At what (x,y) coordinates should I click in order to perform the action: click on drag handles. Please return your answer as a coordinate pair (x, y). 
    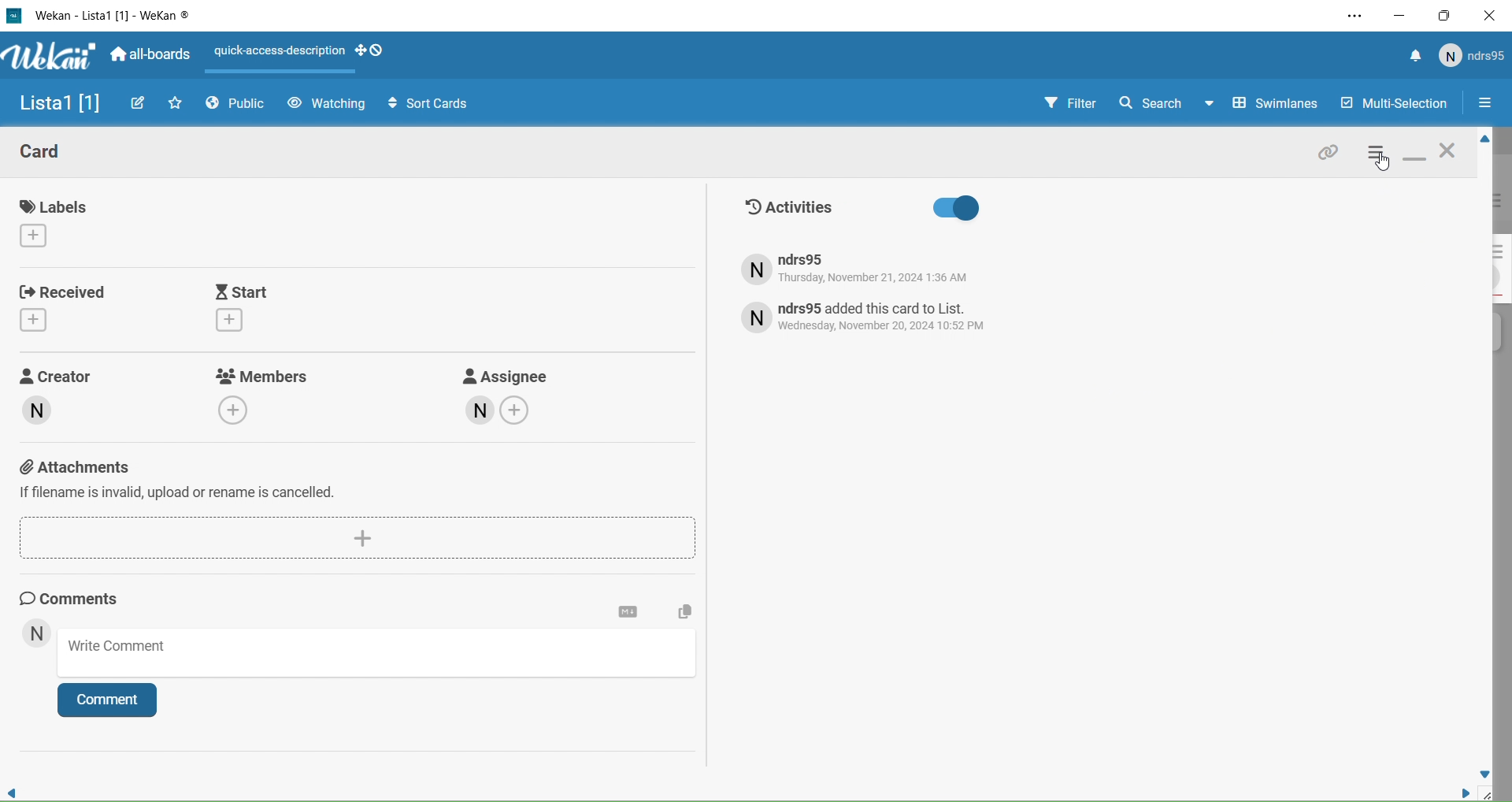
    Looking at the image, I should click on (376, 50).